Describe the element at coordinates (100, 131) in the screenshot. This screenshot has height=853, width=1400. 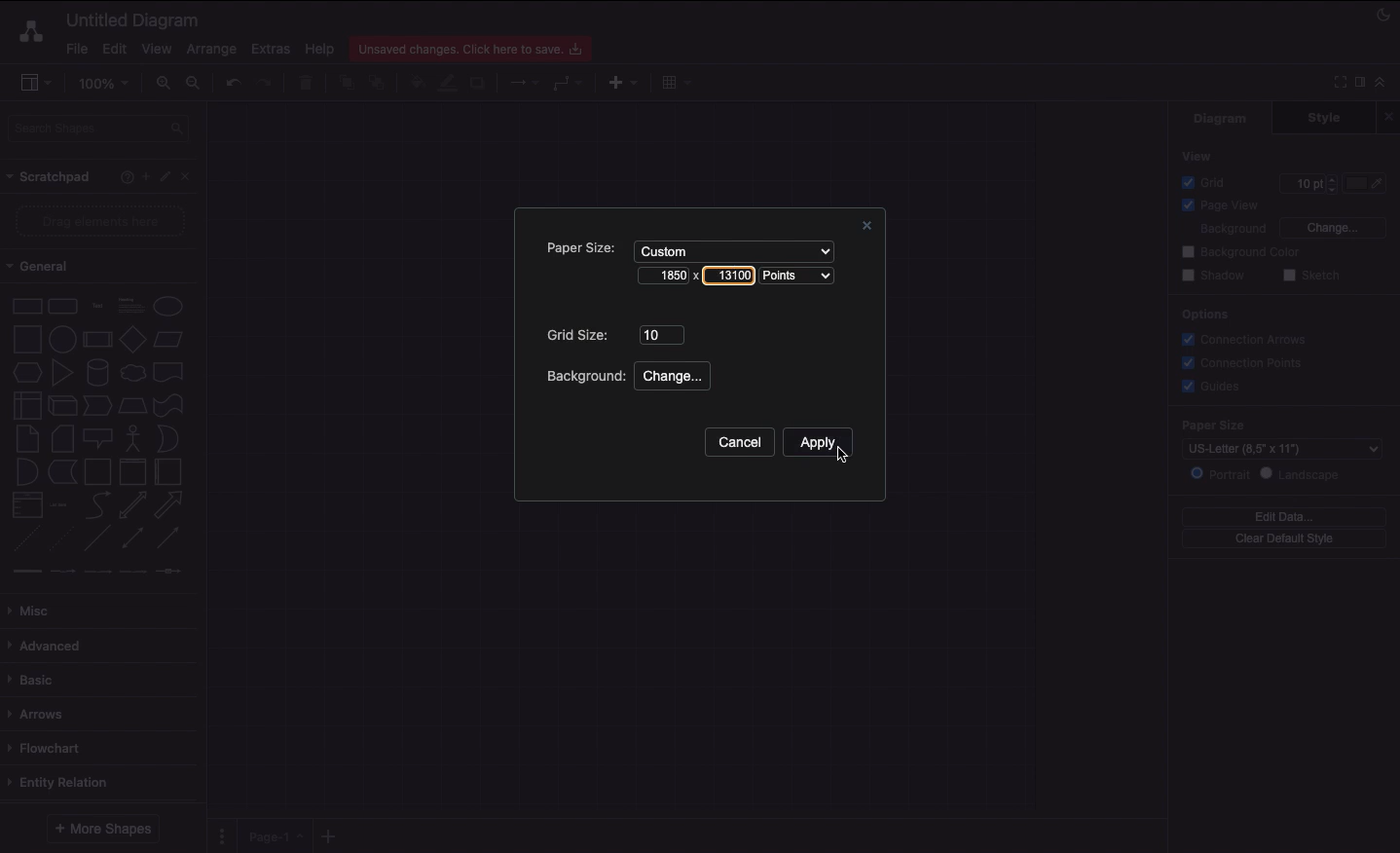
I see `Search shapes` at that location.